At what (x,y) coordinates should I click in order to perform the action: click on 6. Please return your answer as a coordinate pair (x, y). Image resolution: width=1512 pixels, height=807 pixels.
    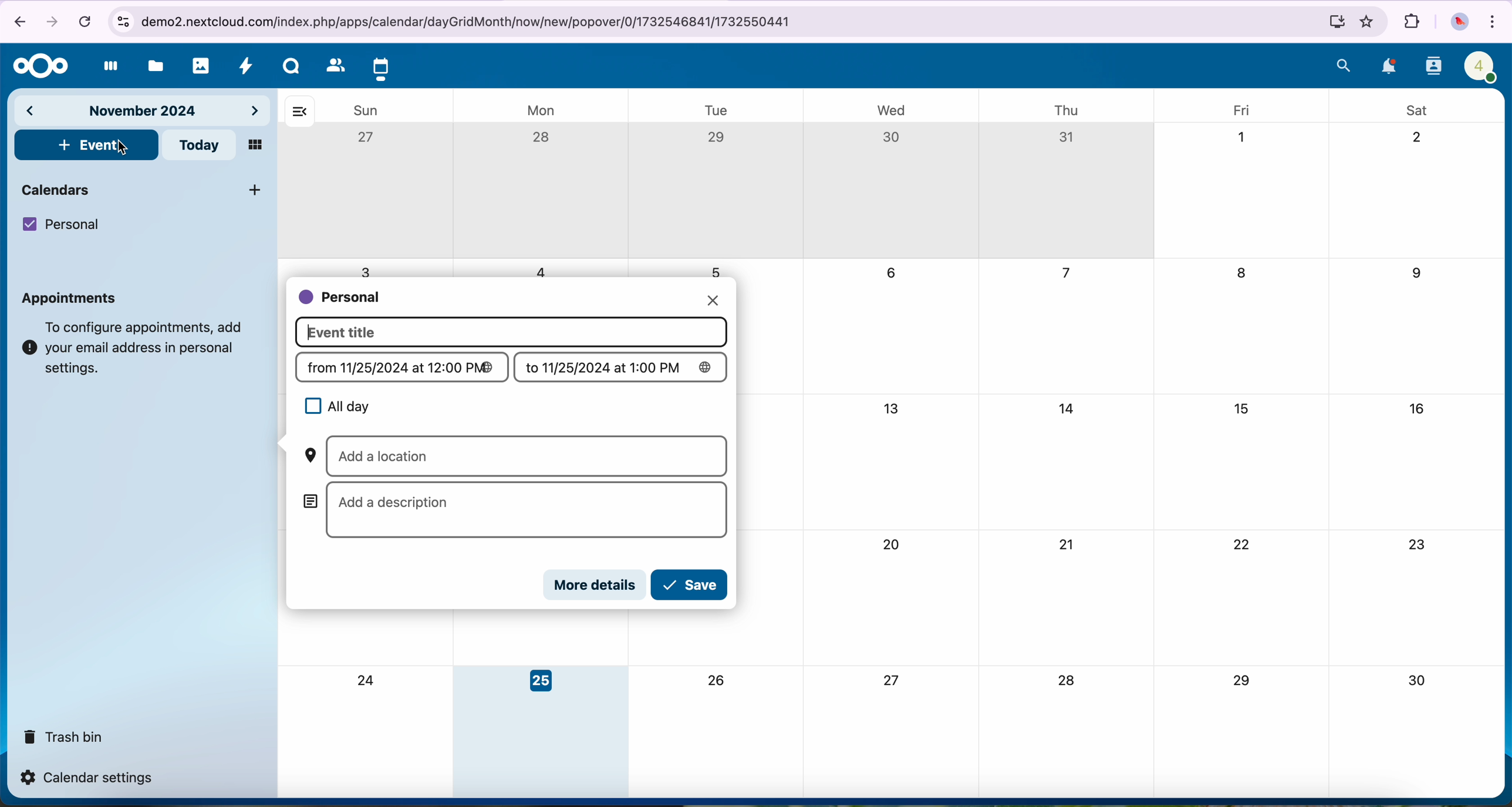
    Looking at the image, I should click on (890, 273).